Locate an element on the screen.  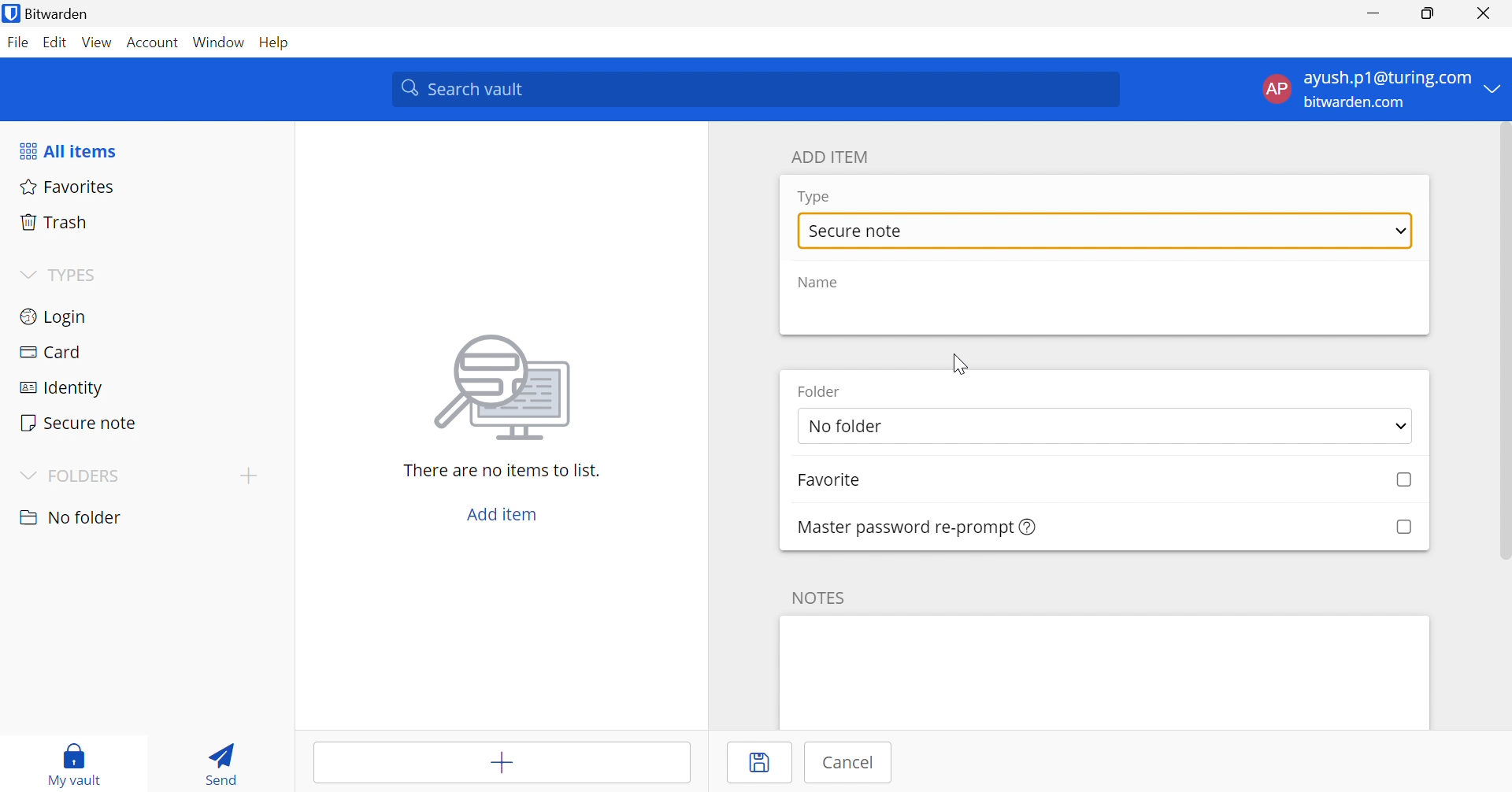
Login is located at coordinates (143, 316).